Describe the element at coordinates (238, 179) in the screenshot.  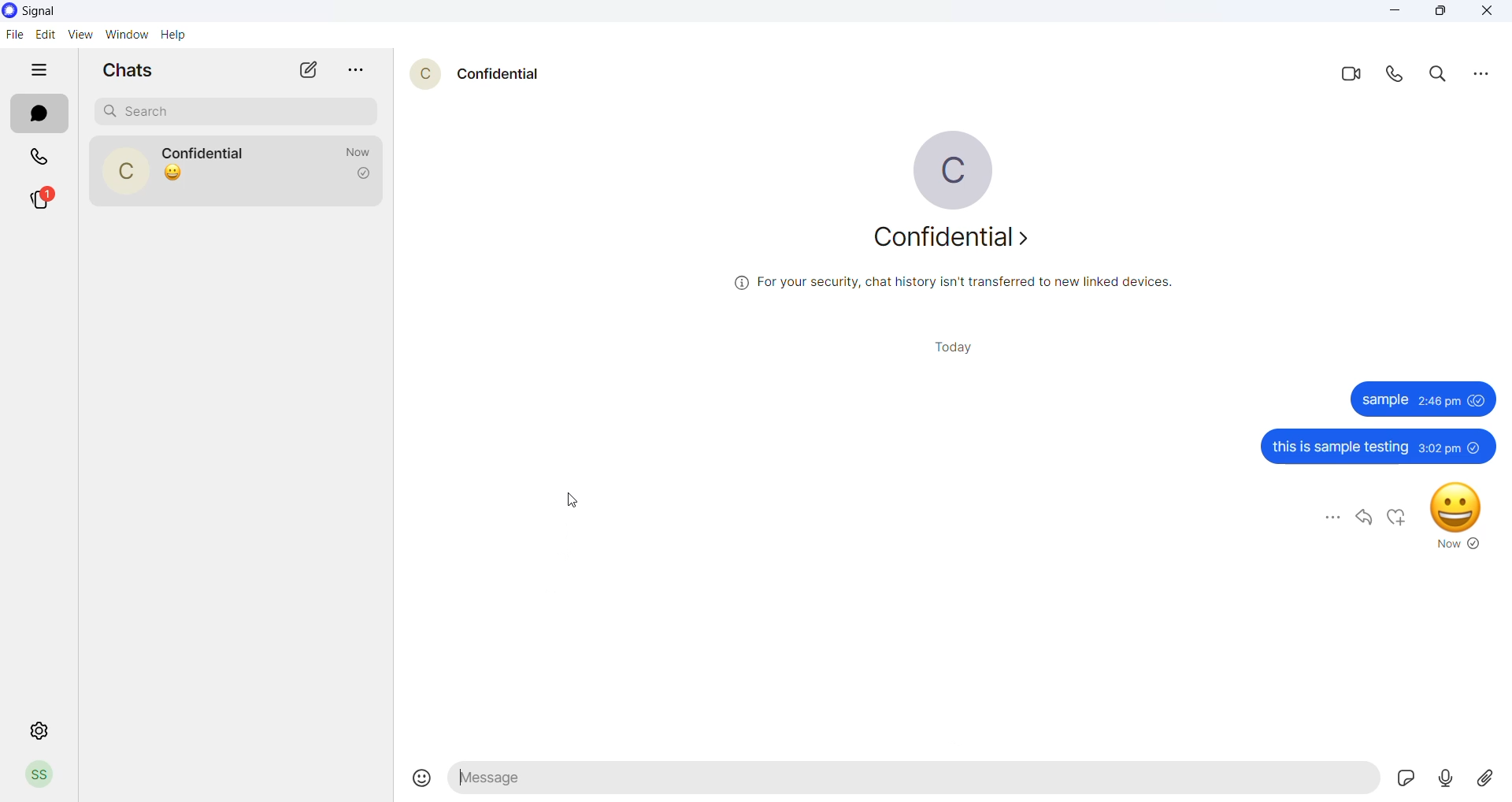
I see `last message` at that location.